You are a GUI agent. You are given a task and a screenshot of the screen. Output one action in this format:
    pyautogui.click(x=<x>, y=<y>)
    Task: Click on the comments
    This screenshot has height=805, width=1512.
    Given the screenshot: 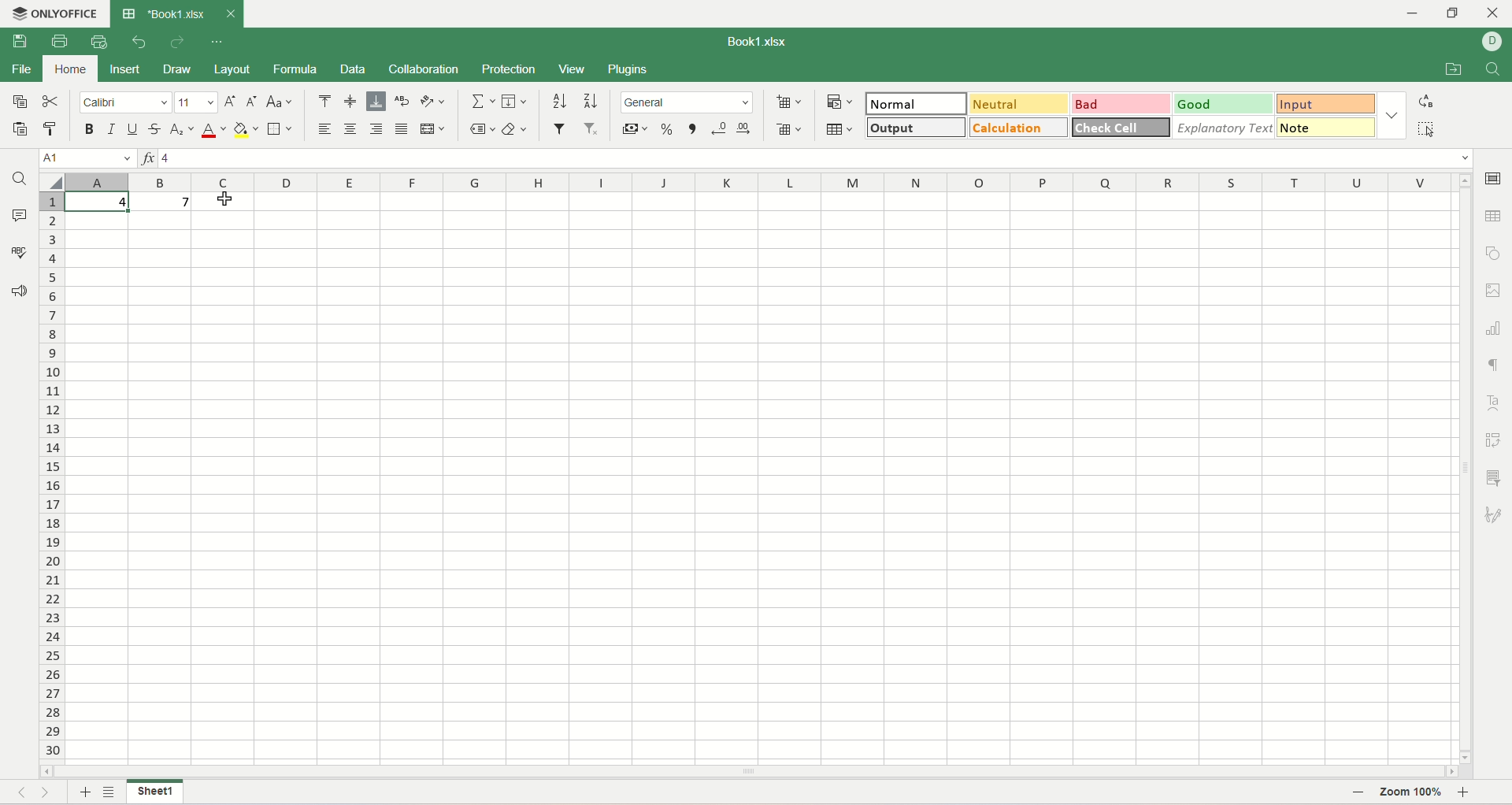 What is the action you would take?
    pyautogui.click(x=18, y=214)
    